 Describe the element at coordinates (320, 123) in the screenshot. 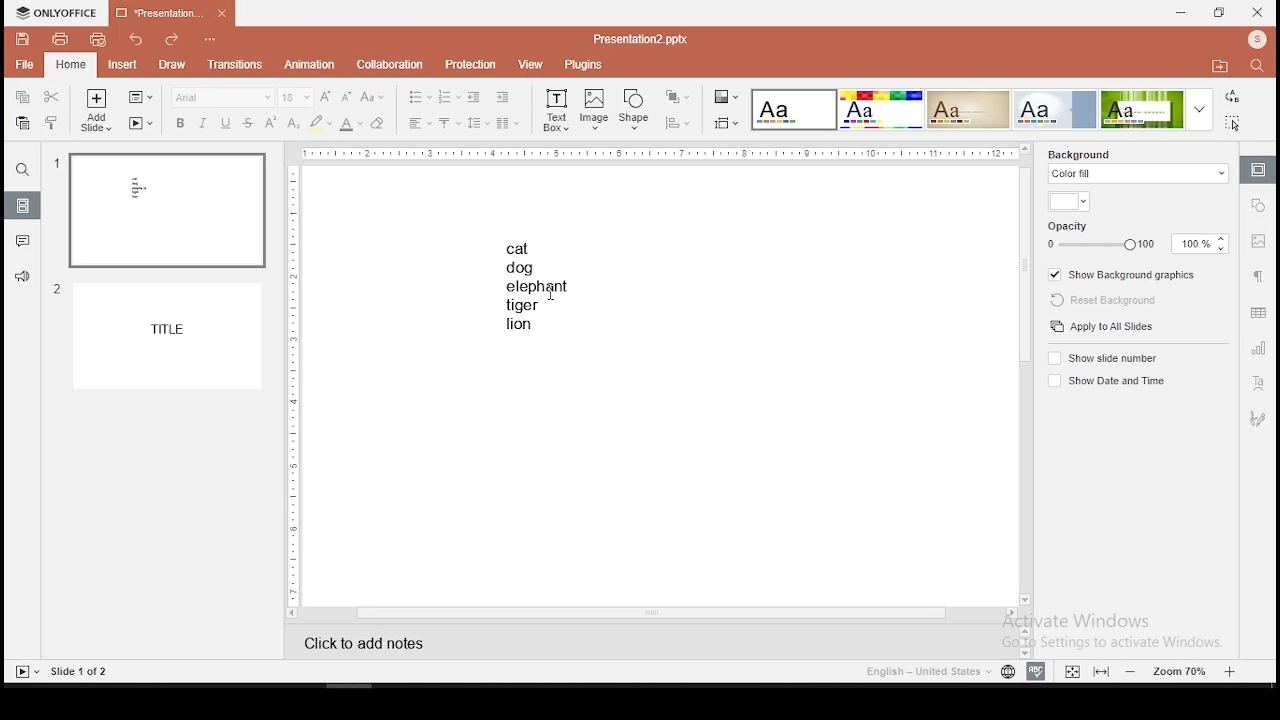

I see `highlight` at that location.